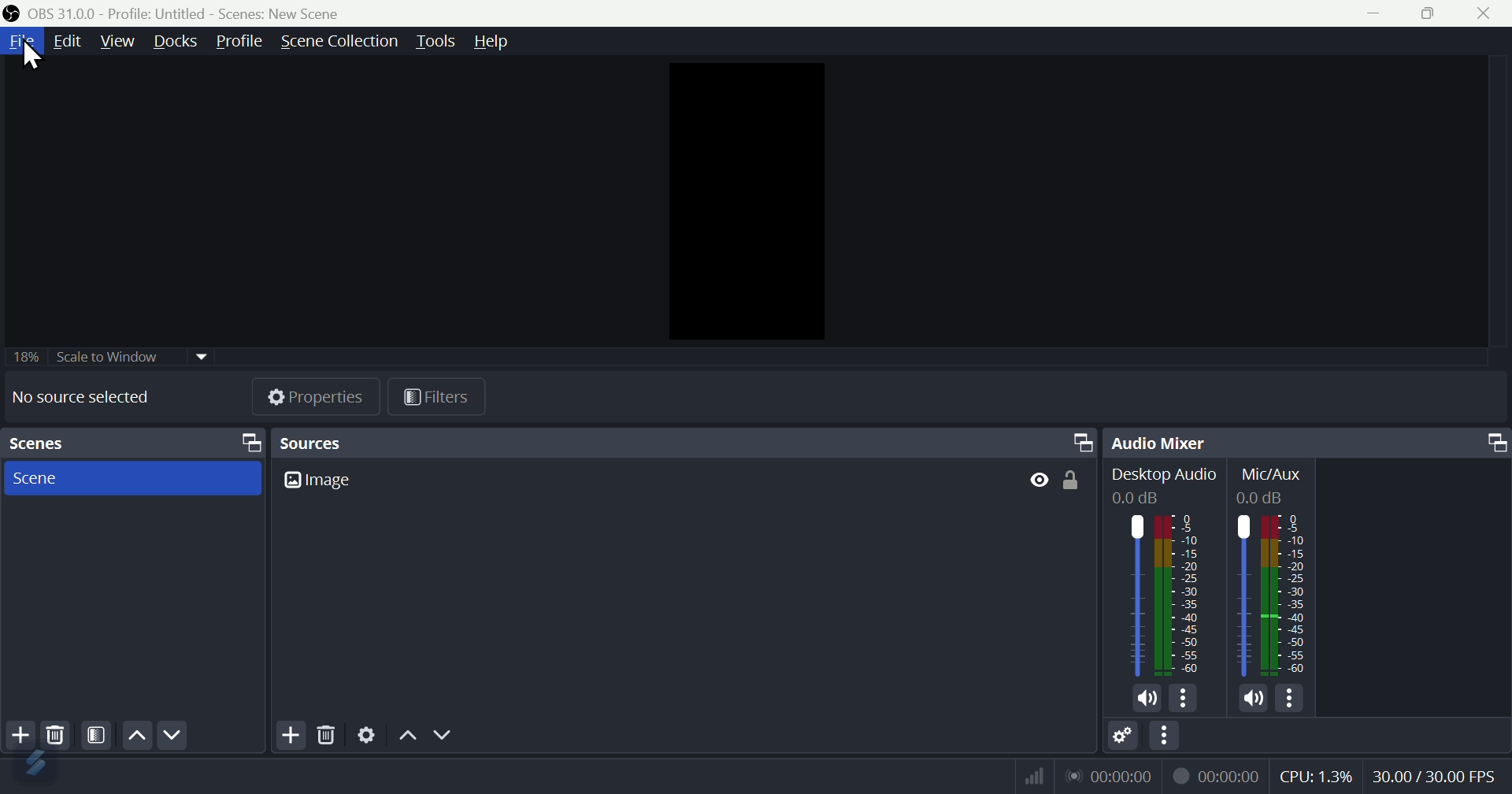 This screenshot has width=1512, height=794. What do you see at coordinates (365, 736) in the screenshot?
I see `Settings` at bounding box center [365, 736].